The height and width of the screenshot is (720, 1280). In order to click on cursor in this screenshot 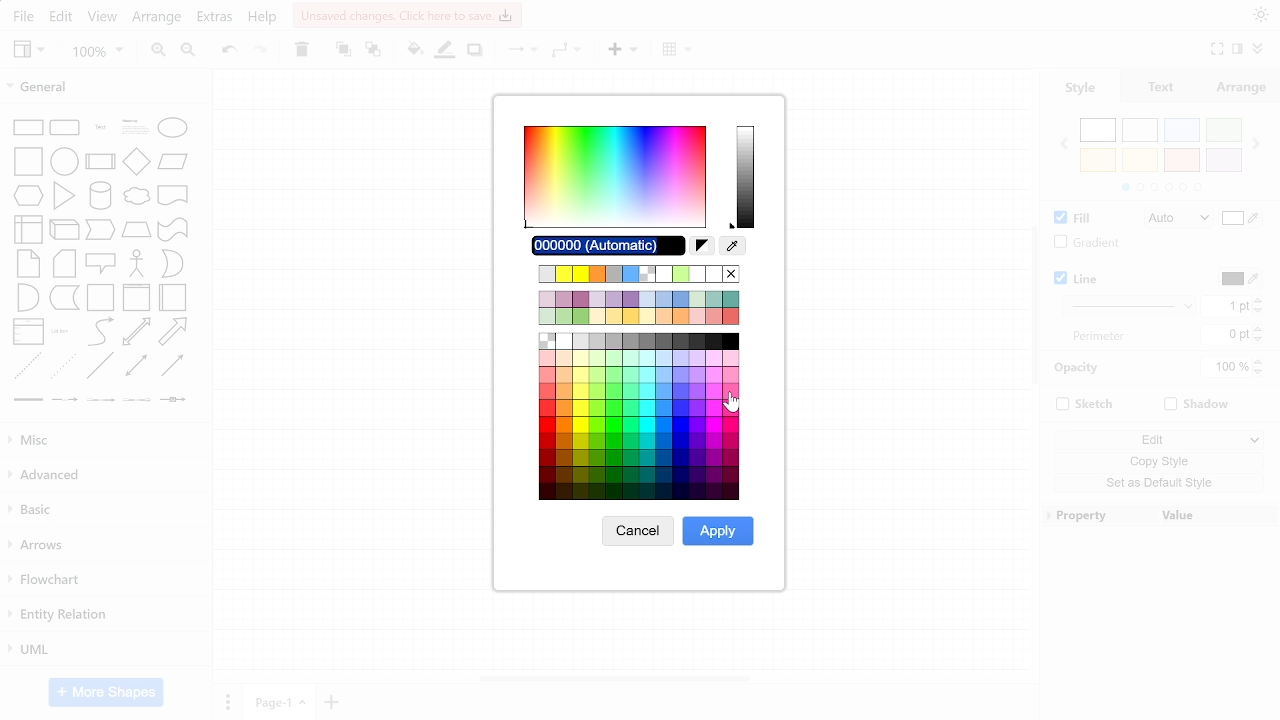, I will do `click(732, 404)`.